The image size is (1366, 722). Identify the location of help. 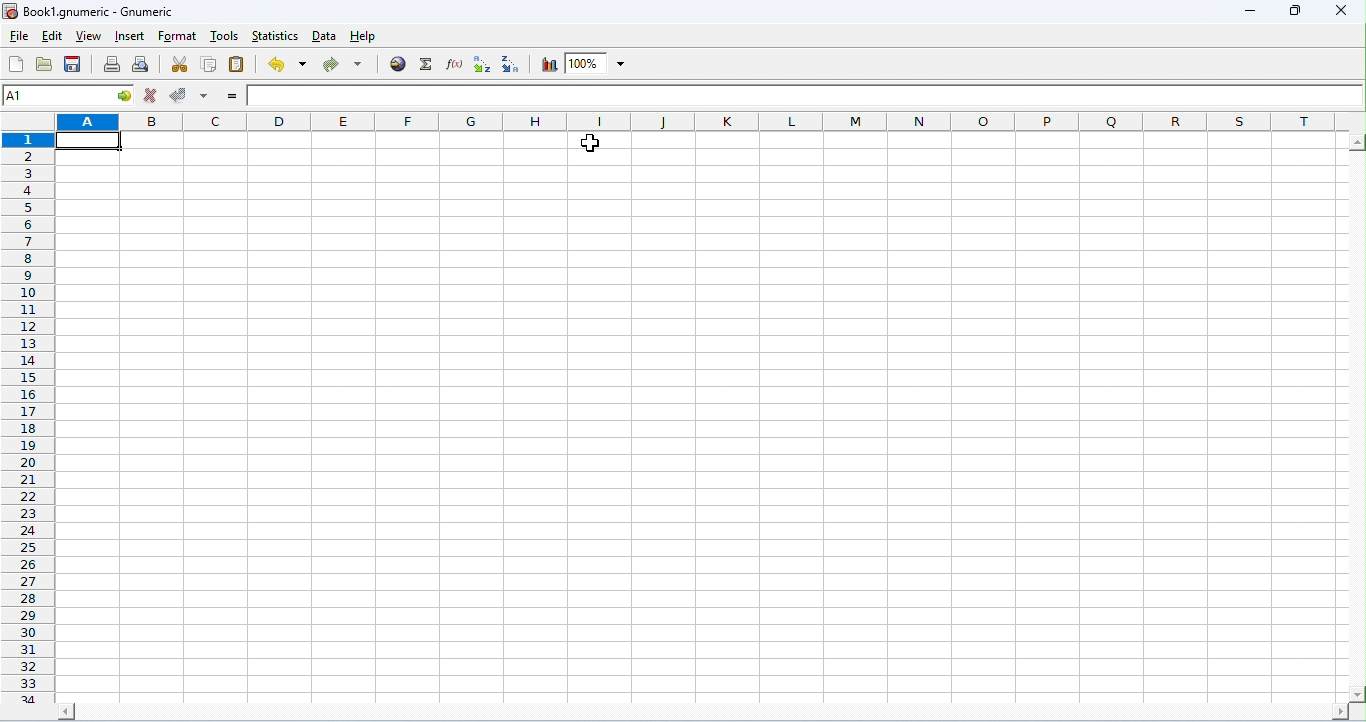
(363, 38).